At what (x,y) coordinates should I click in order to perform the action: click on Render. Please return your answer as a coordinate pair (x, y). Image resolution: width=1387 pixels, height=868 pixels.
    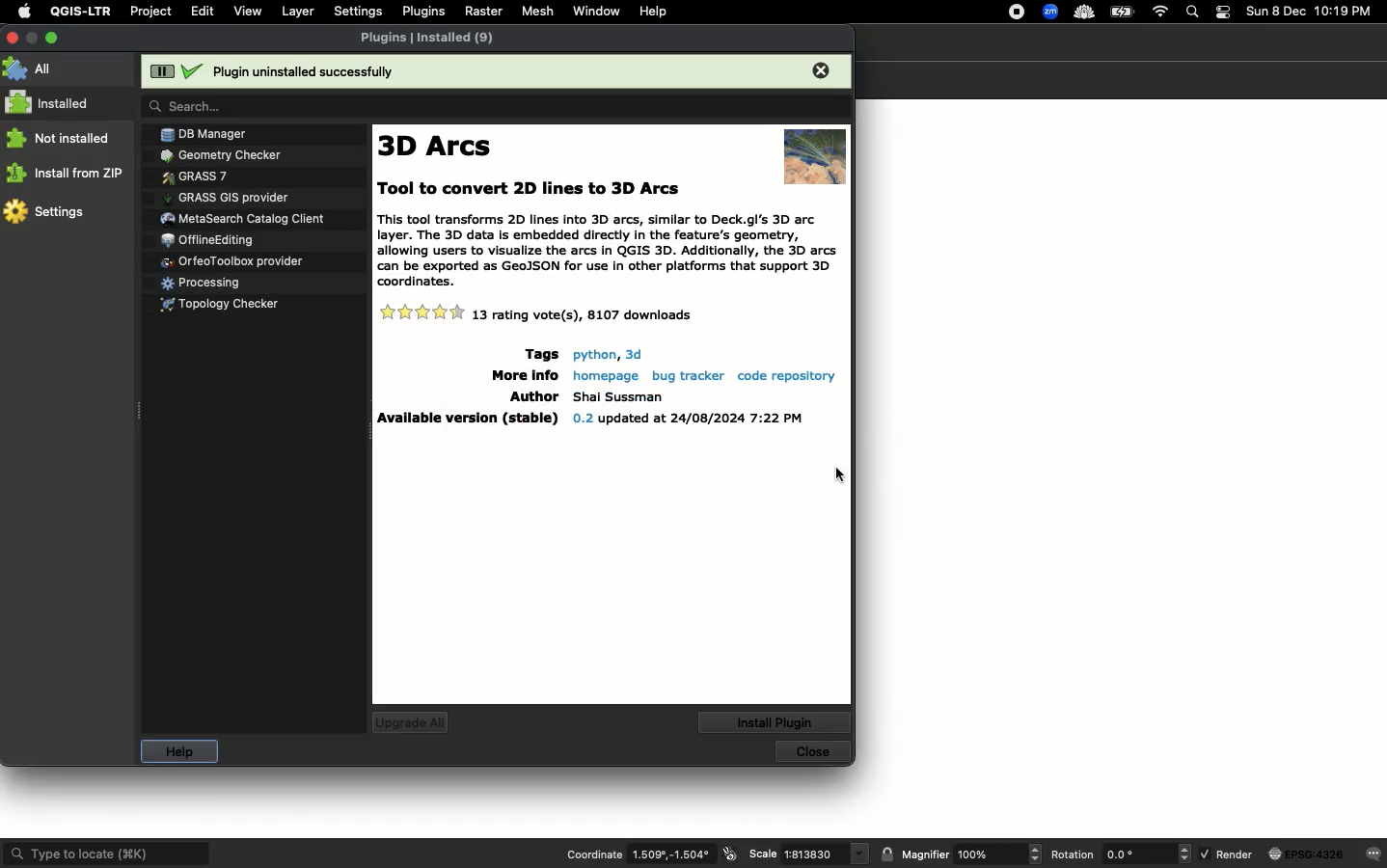
    Looking at the image, I should click on (1292, 856).